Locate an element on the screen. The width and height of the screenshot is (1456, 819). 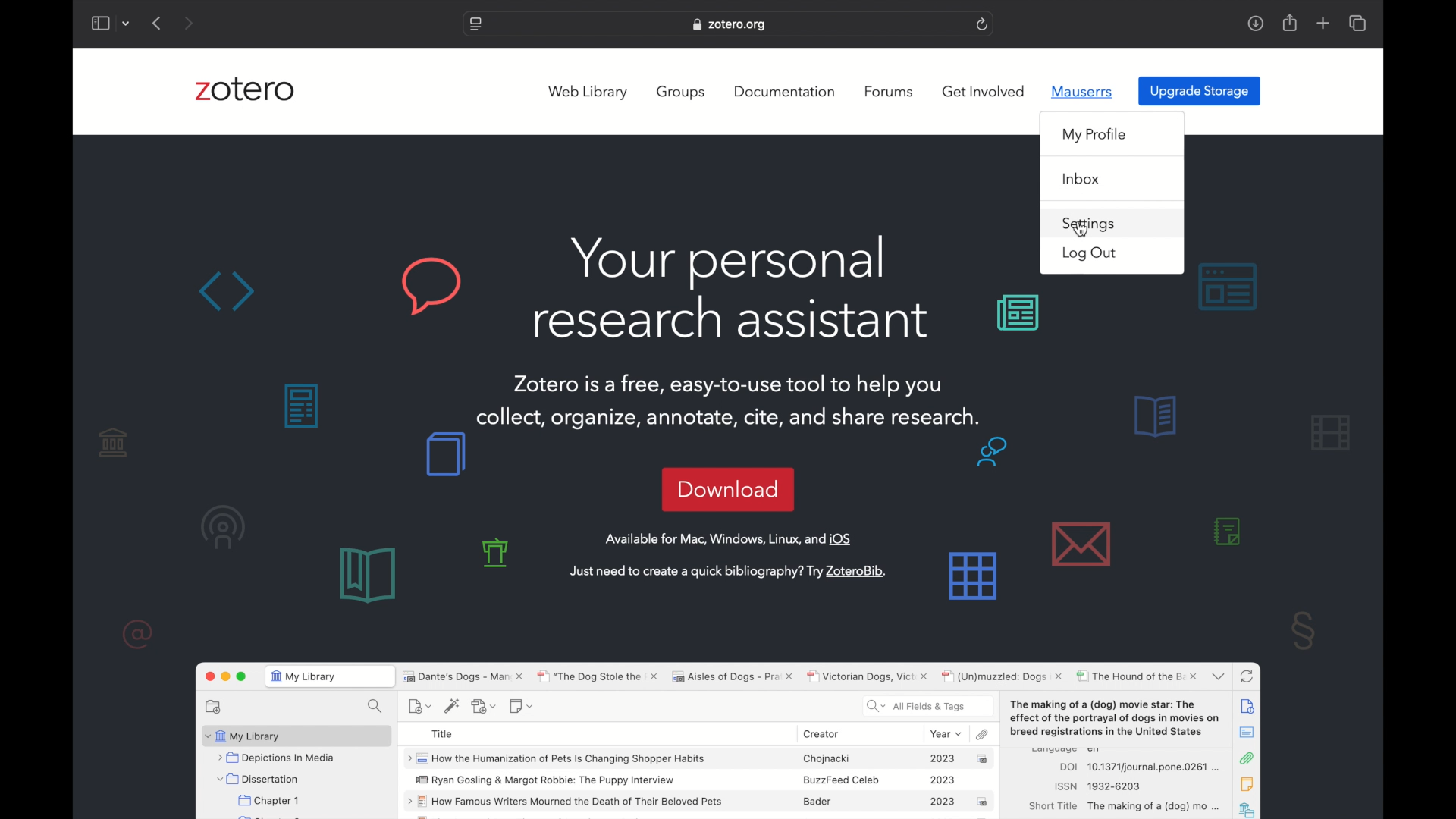
groups is located at coordinates (682, 93).